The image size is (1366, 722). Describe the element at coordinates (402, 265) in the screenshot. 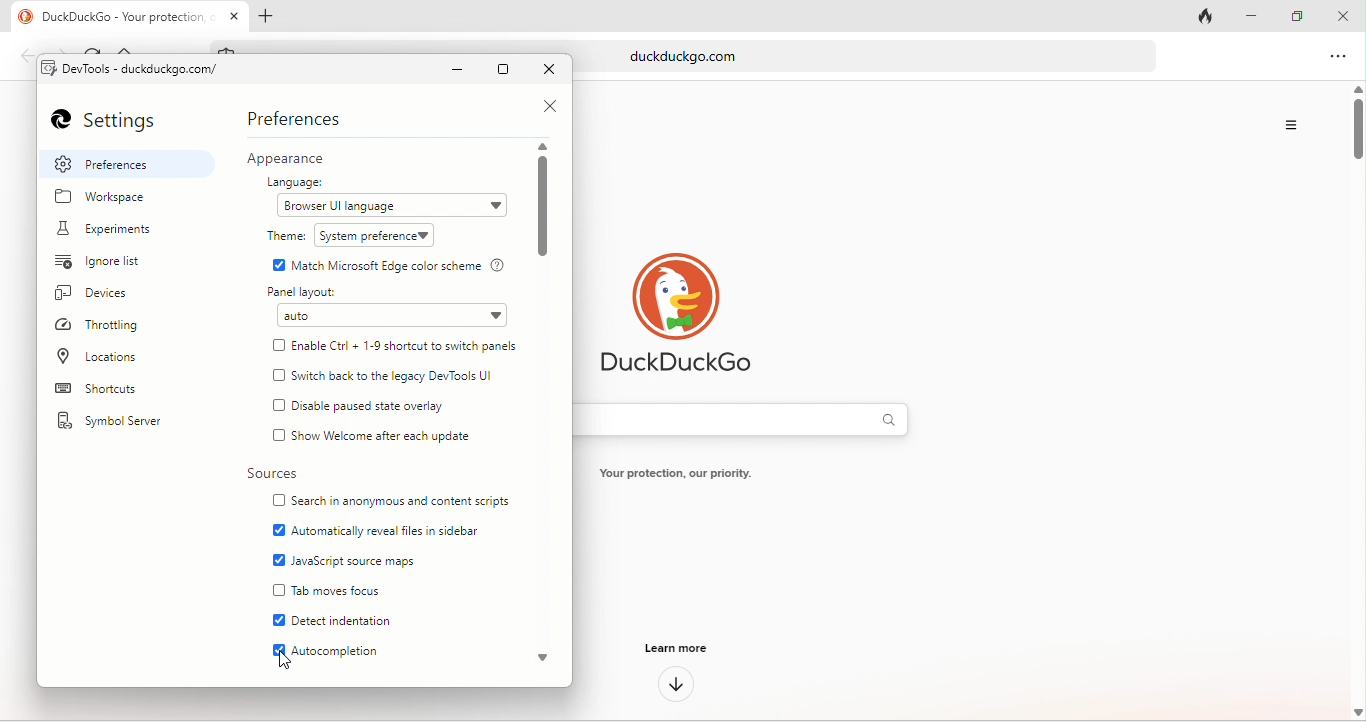

I see `match microsoft edge color scheme` at that location.